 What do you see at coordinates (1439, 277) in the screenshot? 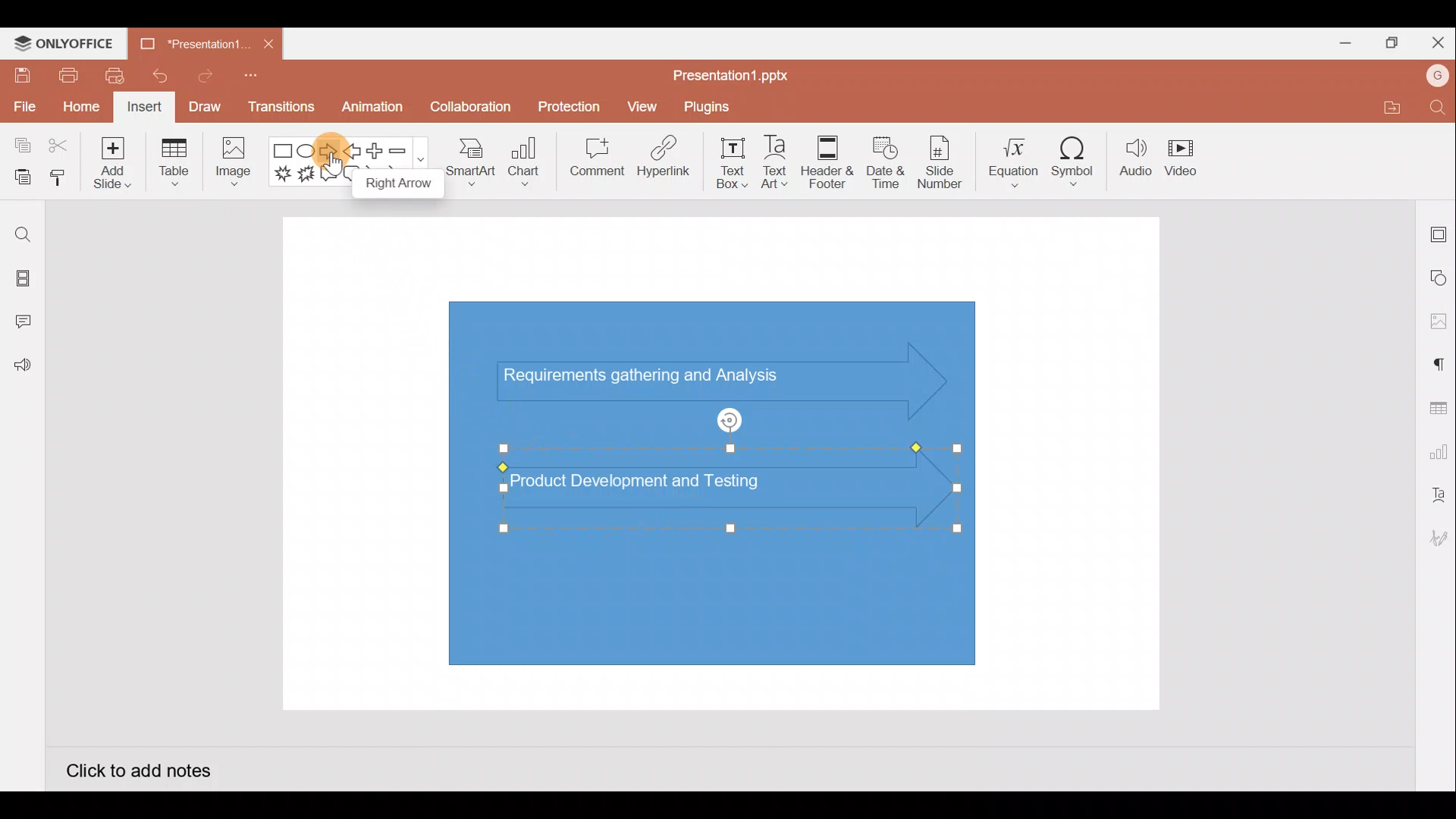
I see `Shape settings` at bounding box center [1439, 277].